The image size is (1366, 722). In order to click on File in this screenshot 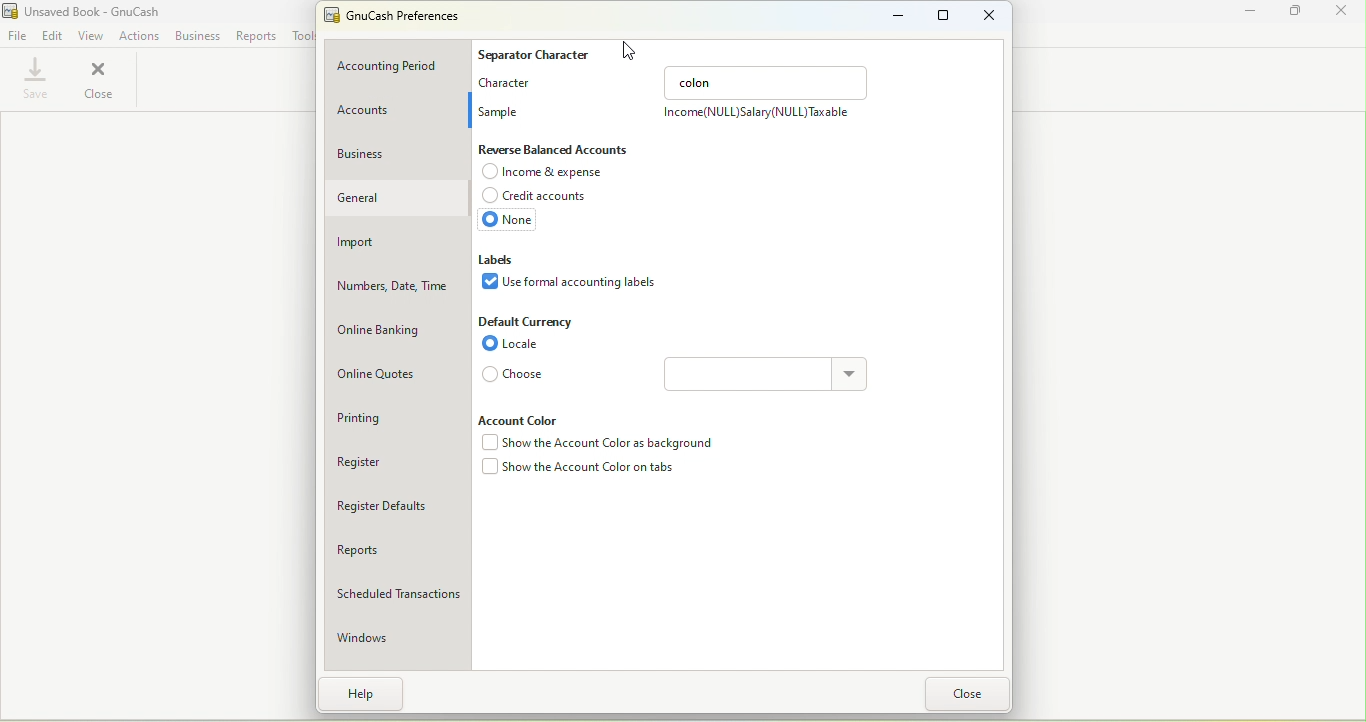, I will do `click(19, 34)`.